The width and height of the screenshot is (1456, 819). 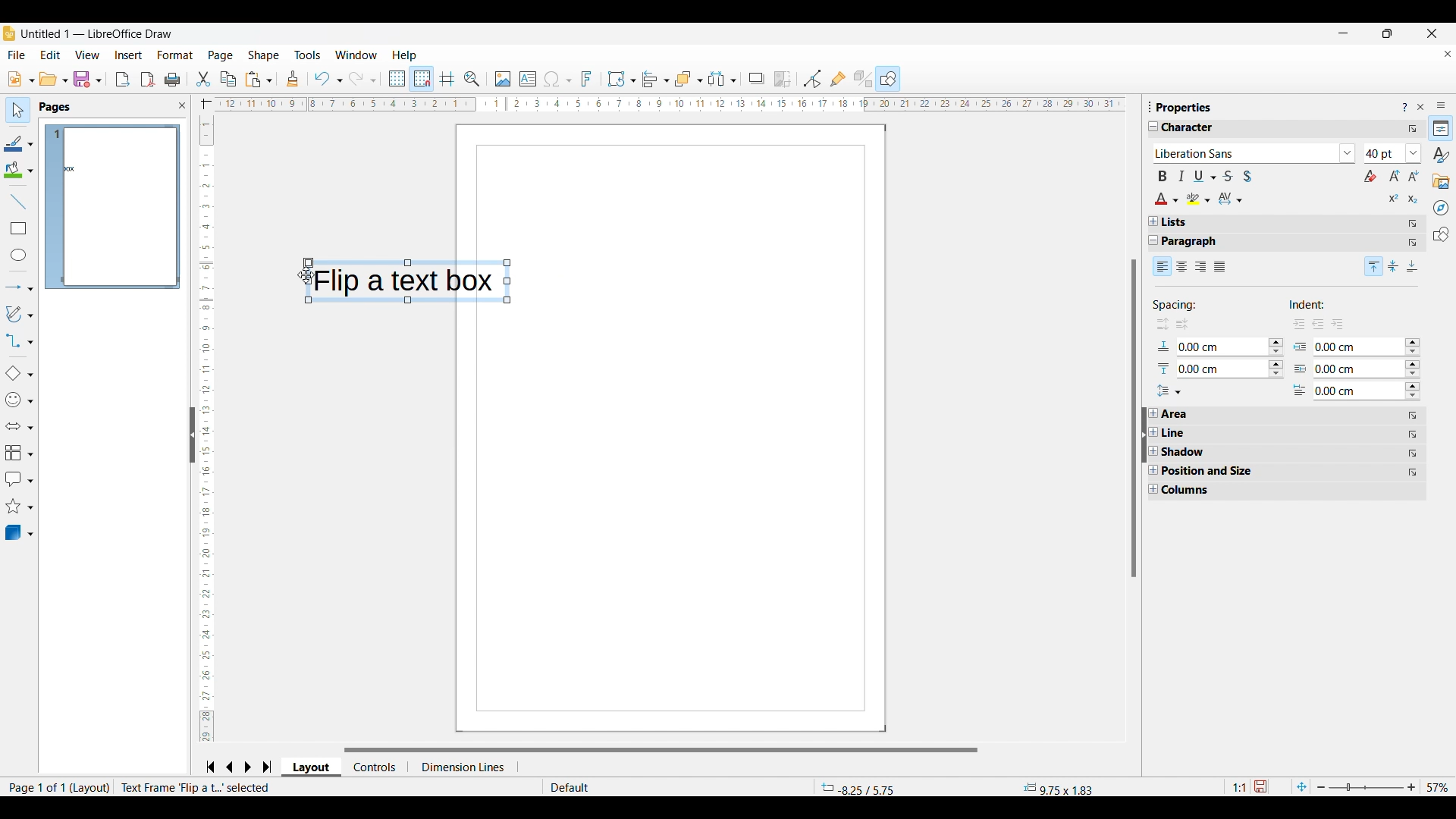 I want to click on Insert ellipse, so click(x=19, y=255).